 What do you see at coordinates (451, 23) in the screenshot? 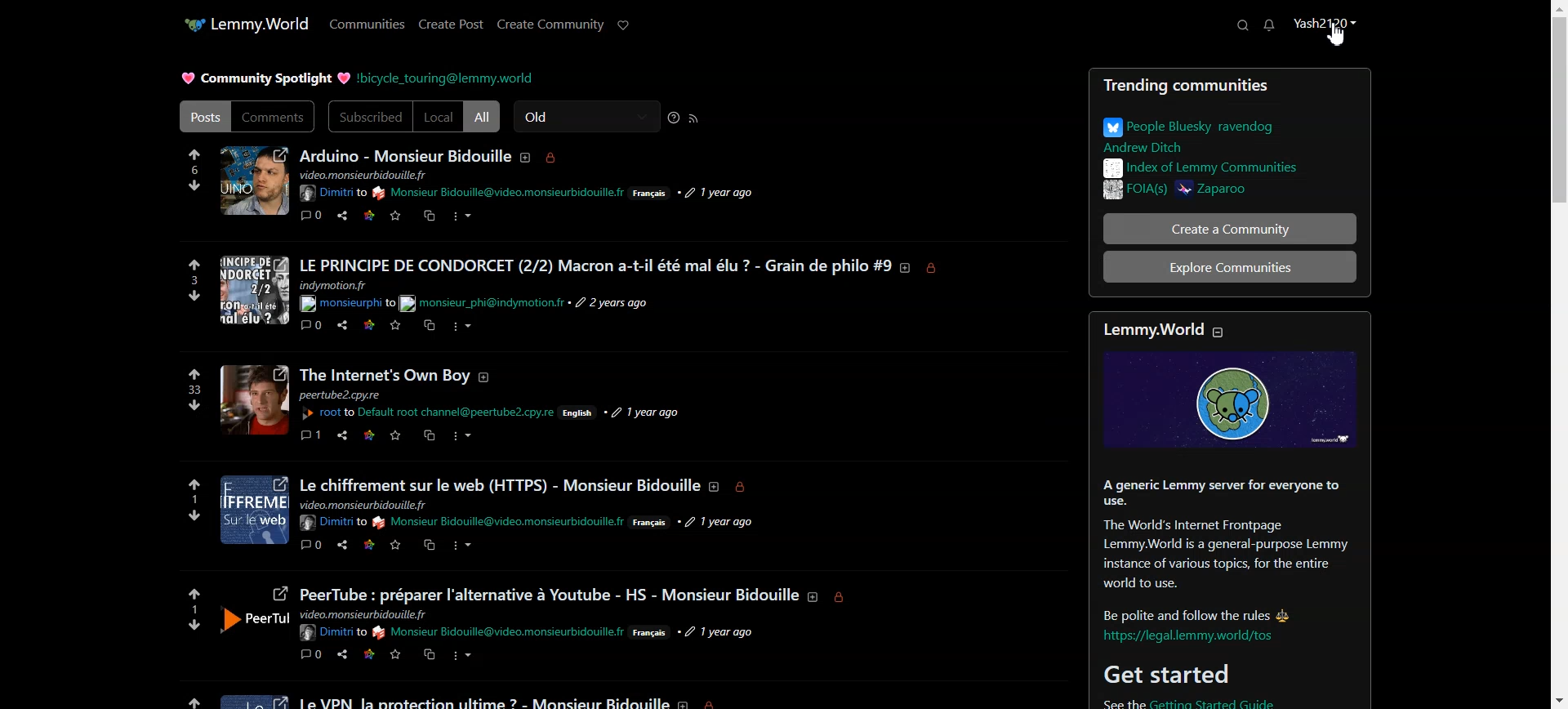
I see `Create Post` at bounding box center [451, 23].